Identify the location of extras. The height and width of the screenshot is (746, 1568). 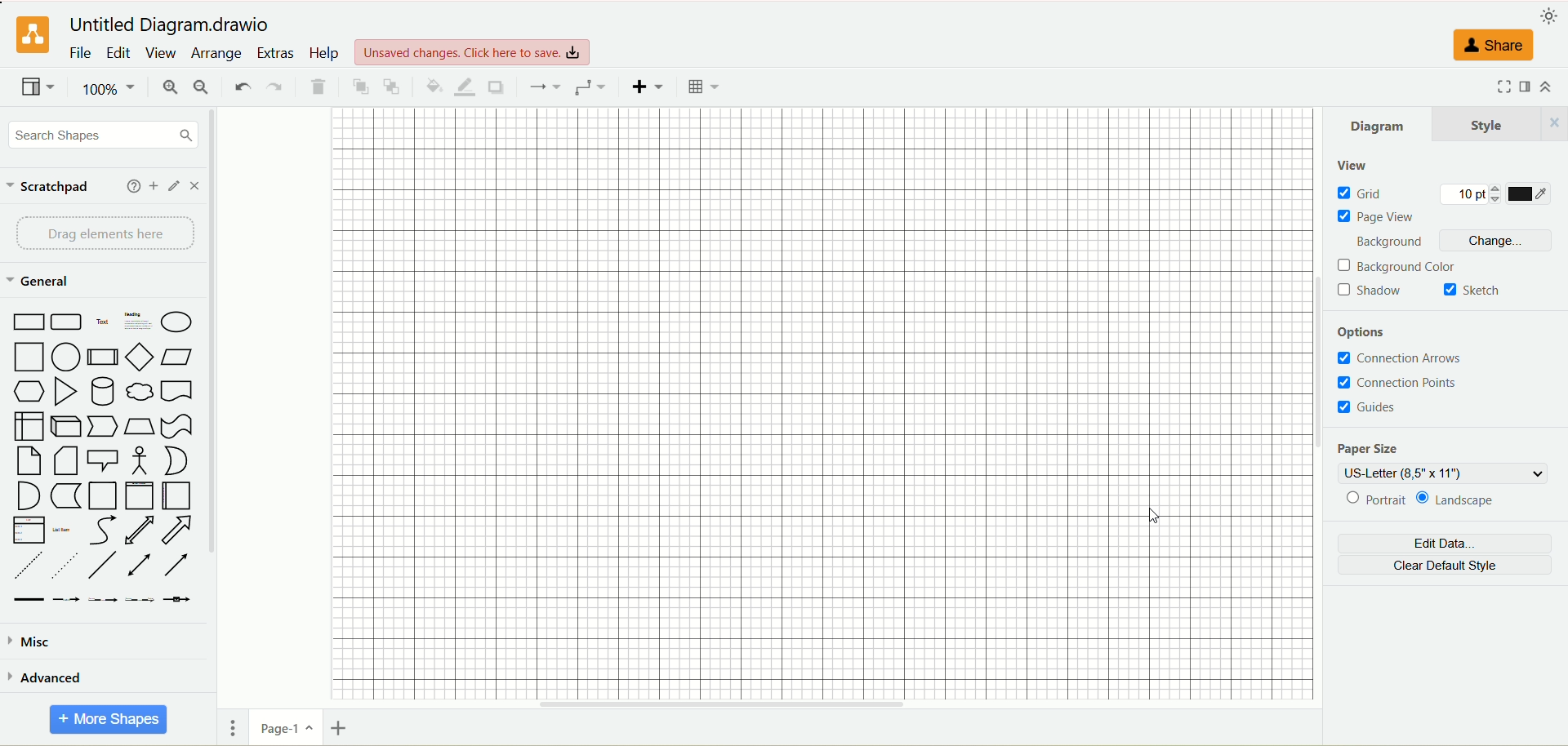
(276, 51).